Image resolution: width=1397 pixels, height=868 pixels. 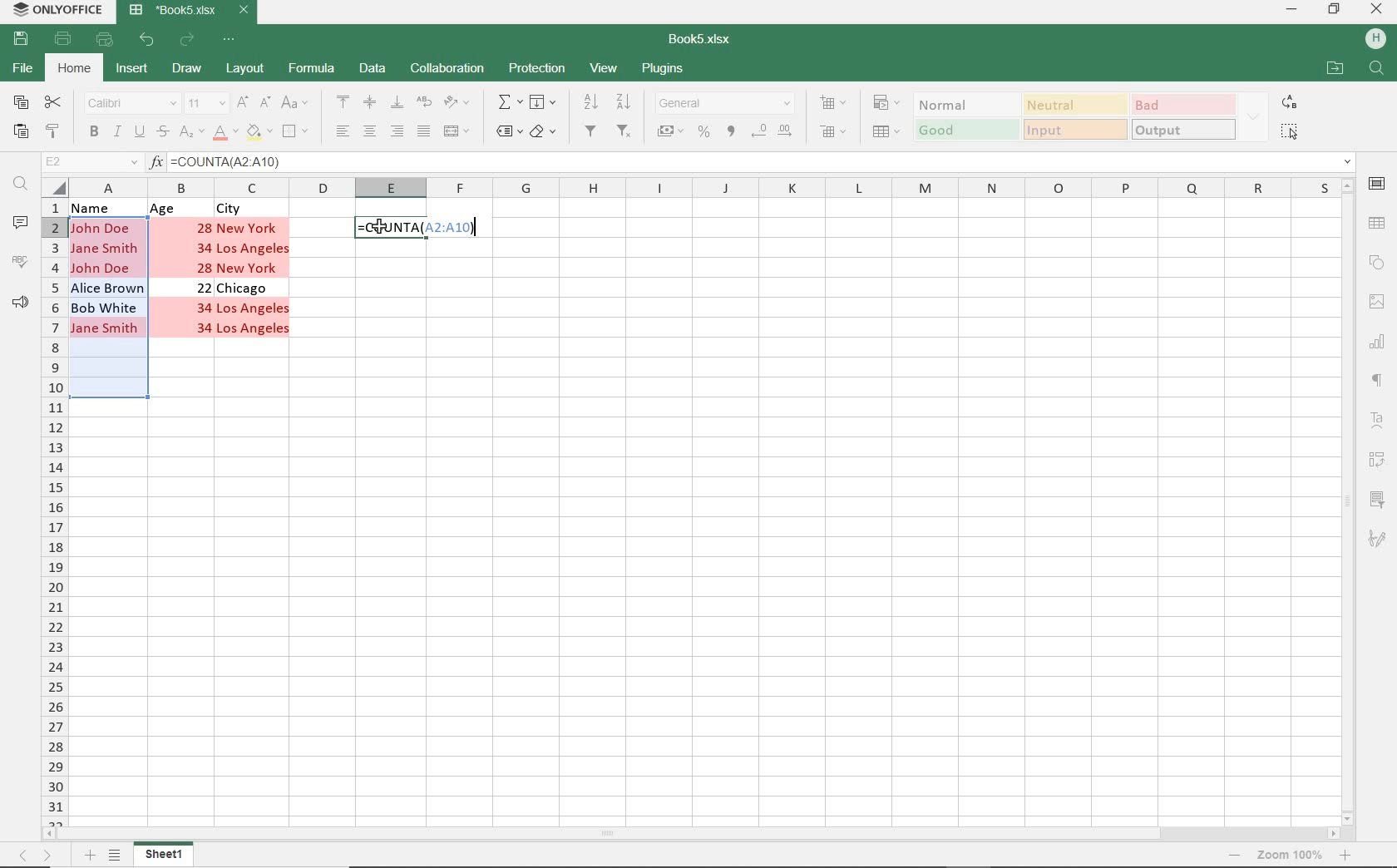 I want to click on REPLACE, so click(x=1290, y=102).